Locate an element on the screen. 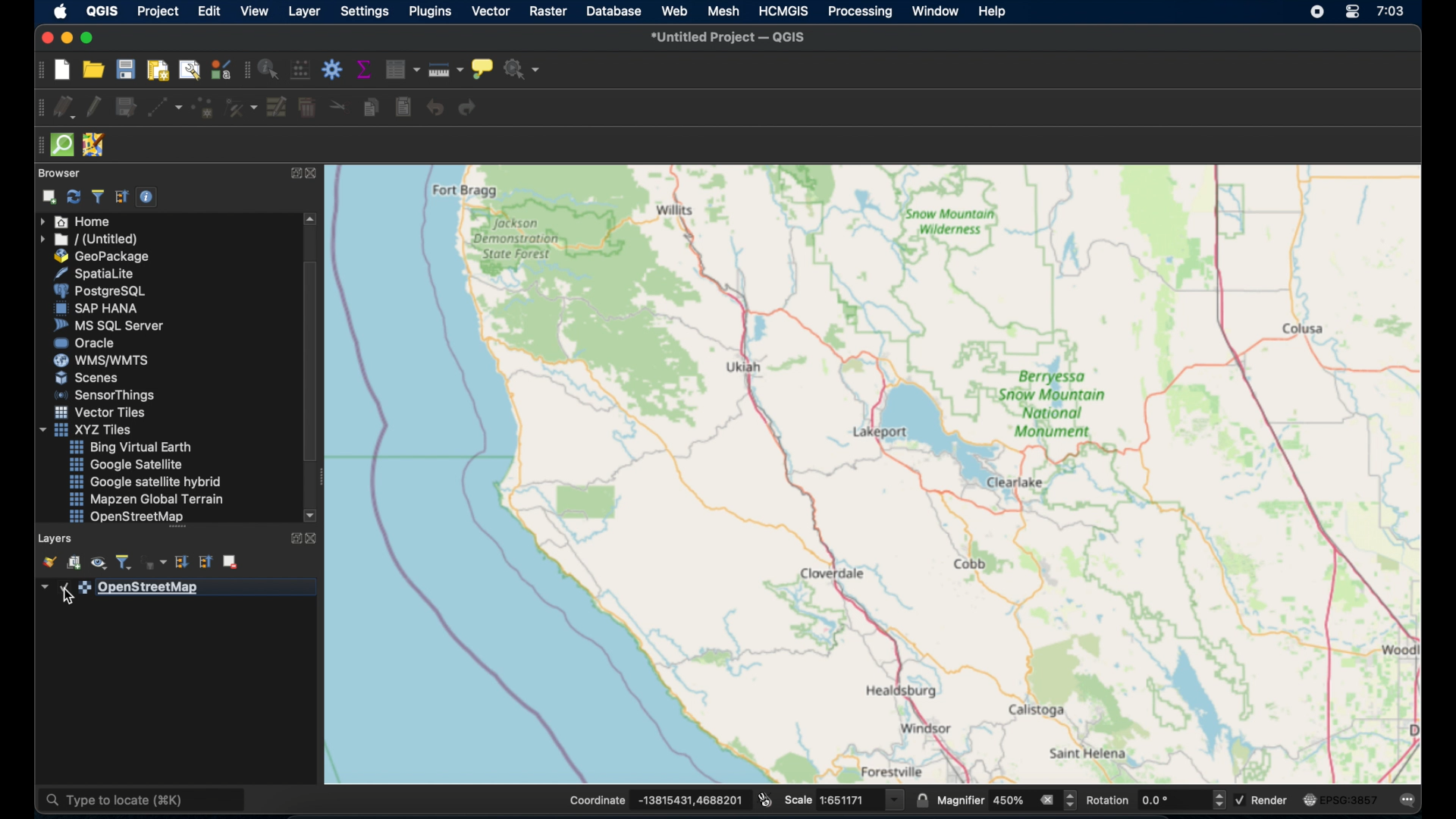 Image resolution: width=1456 pixels, height=819 pixels. web is located at coordinates (674, 10).